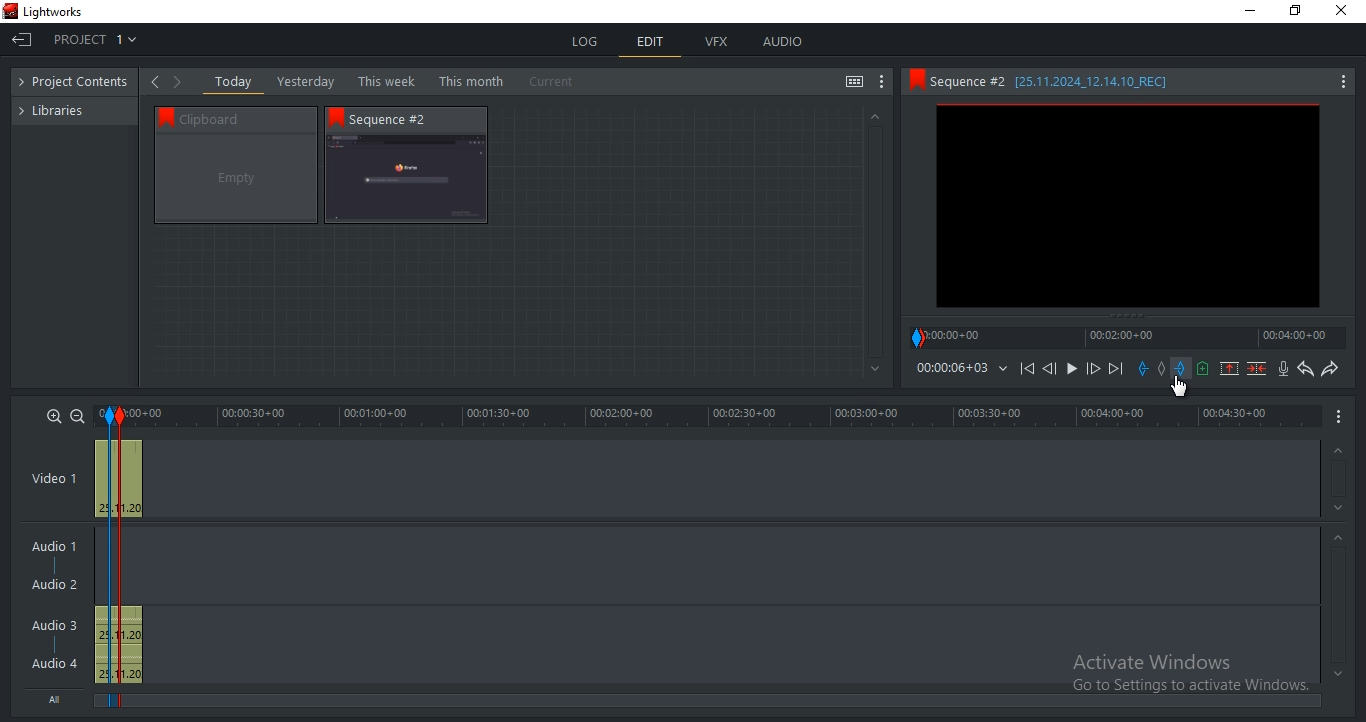 This screenshot has height=722, width=1366. What do you see at coordinates (651, 44) in the screenshot?
I see `edit` at bounding box center [651, 44].